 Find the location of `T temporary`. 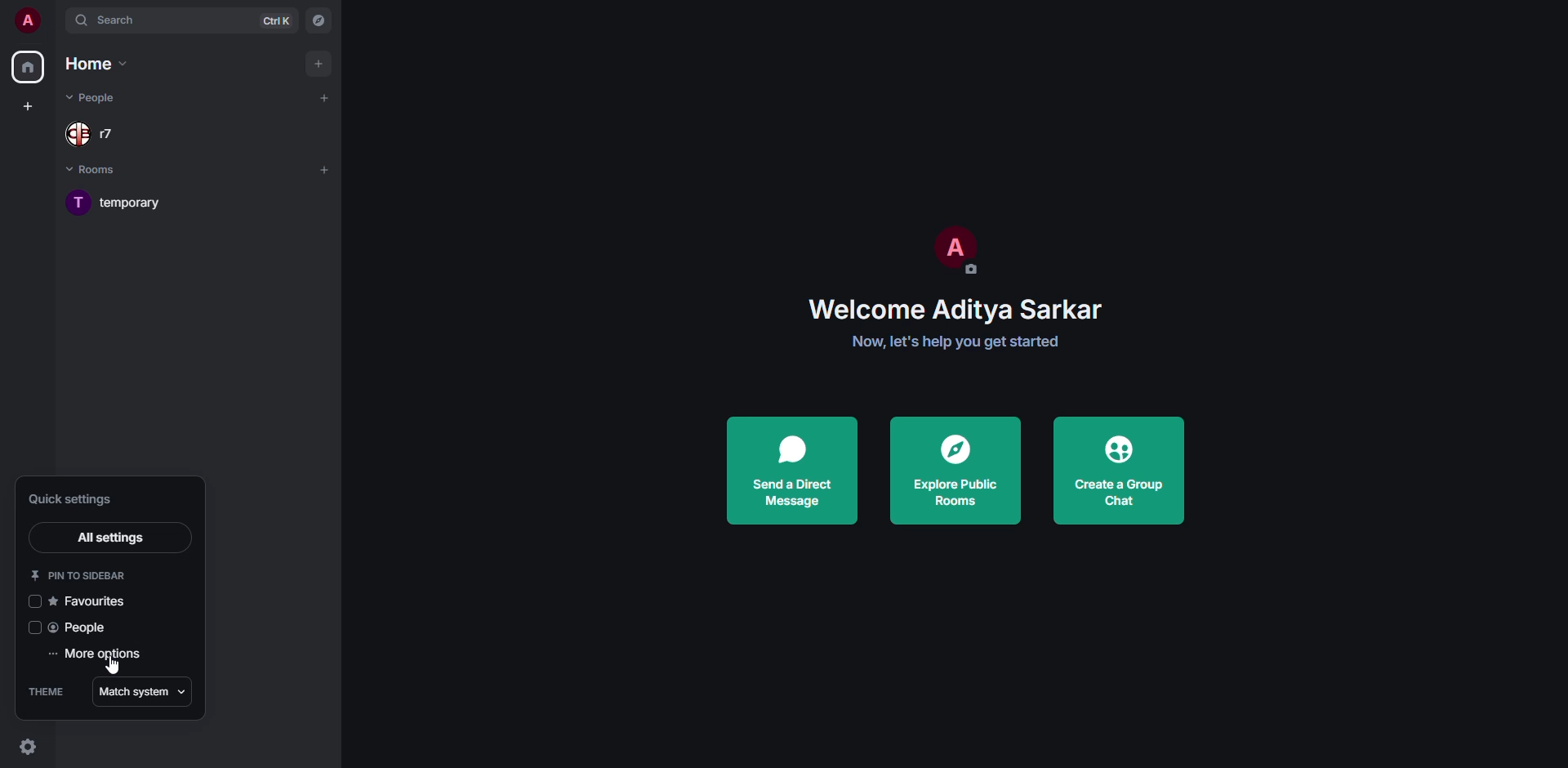

T temporary is located at coordinates (117, 204).